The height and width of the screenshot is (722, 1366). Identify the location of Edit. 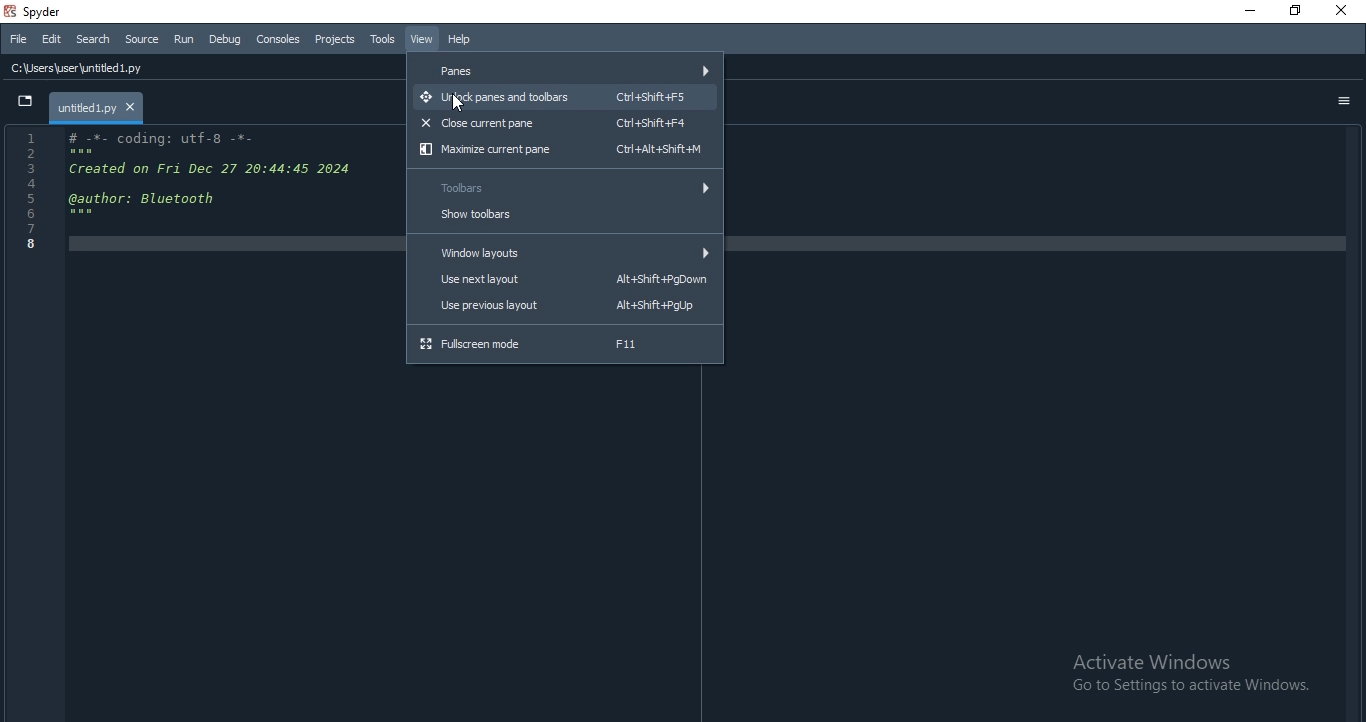
(50, 40).